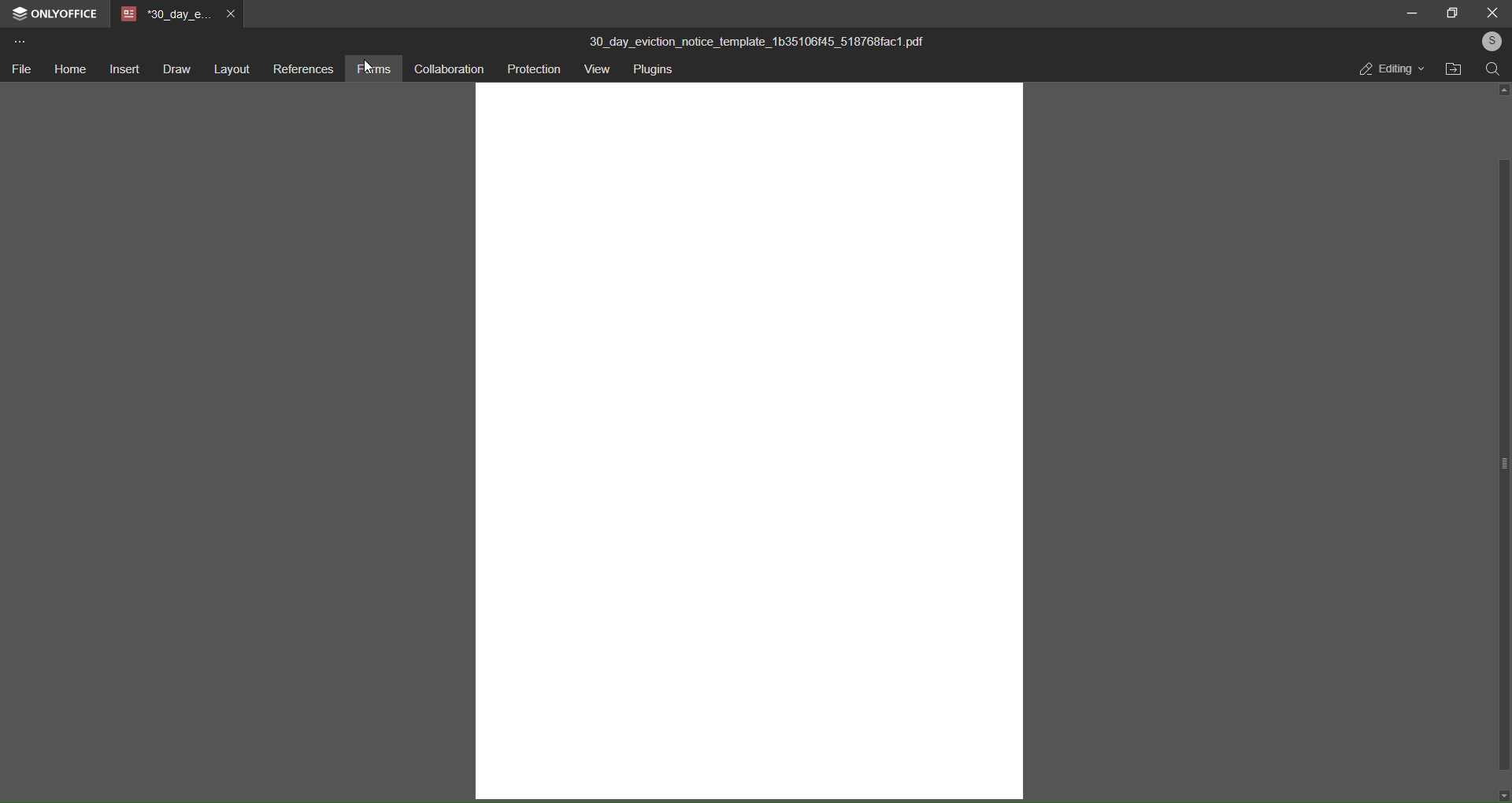  I want to click on open file location, so click(1453, 72).